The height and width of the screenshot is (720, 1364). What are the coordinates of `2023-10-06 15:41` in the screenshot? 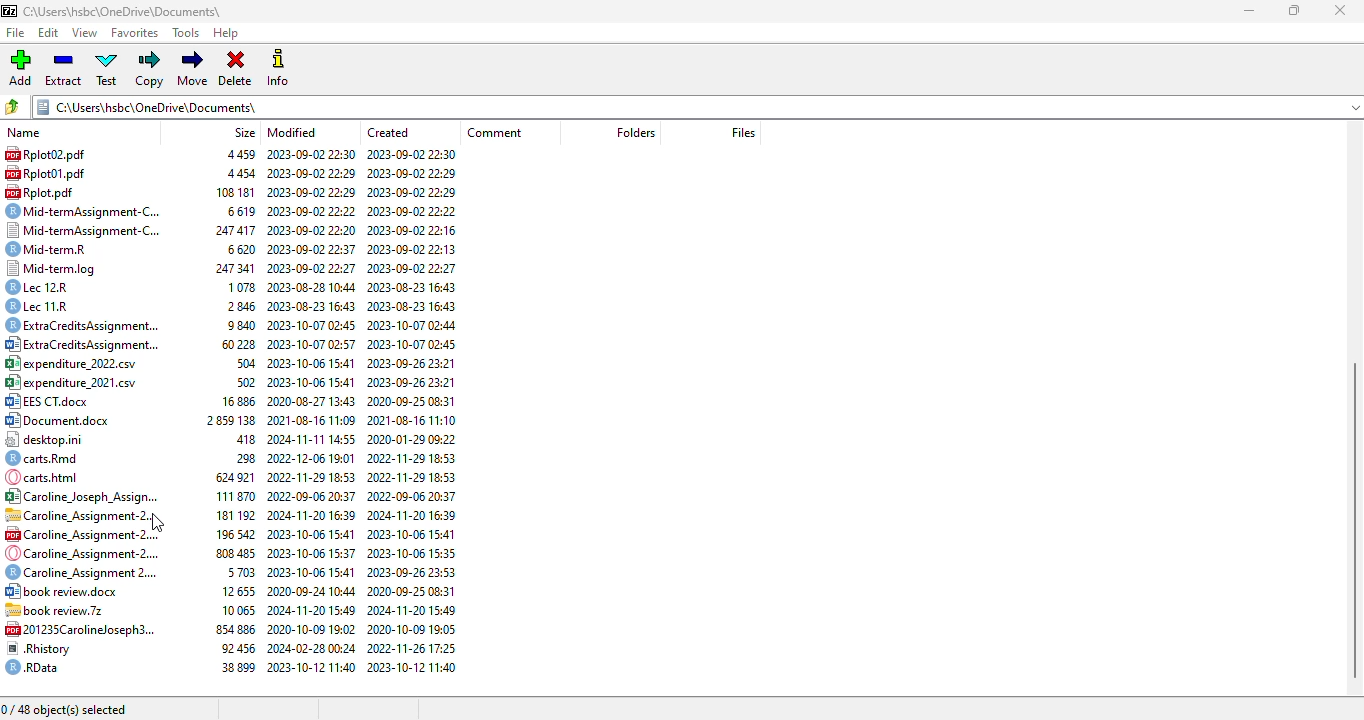 It's located at (313, 363).